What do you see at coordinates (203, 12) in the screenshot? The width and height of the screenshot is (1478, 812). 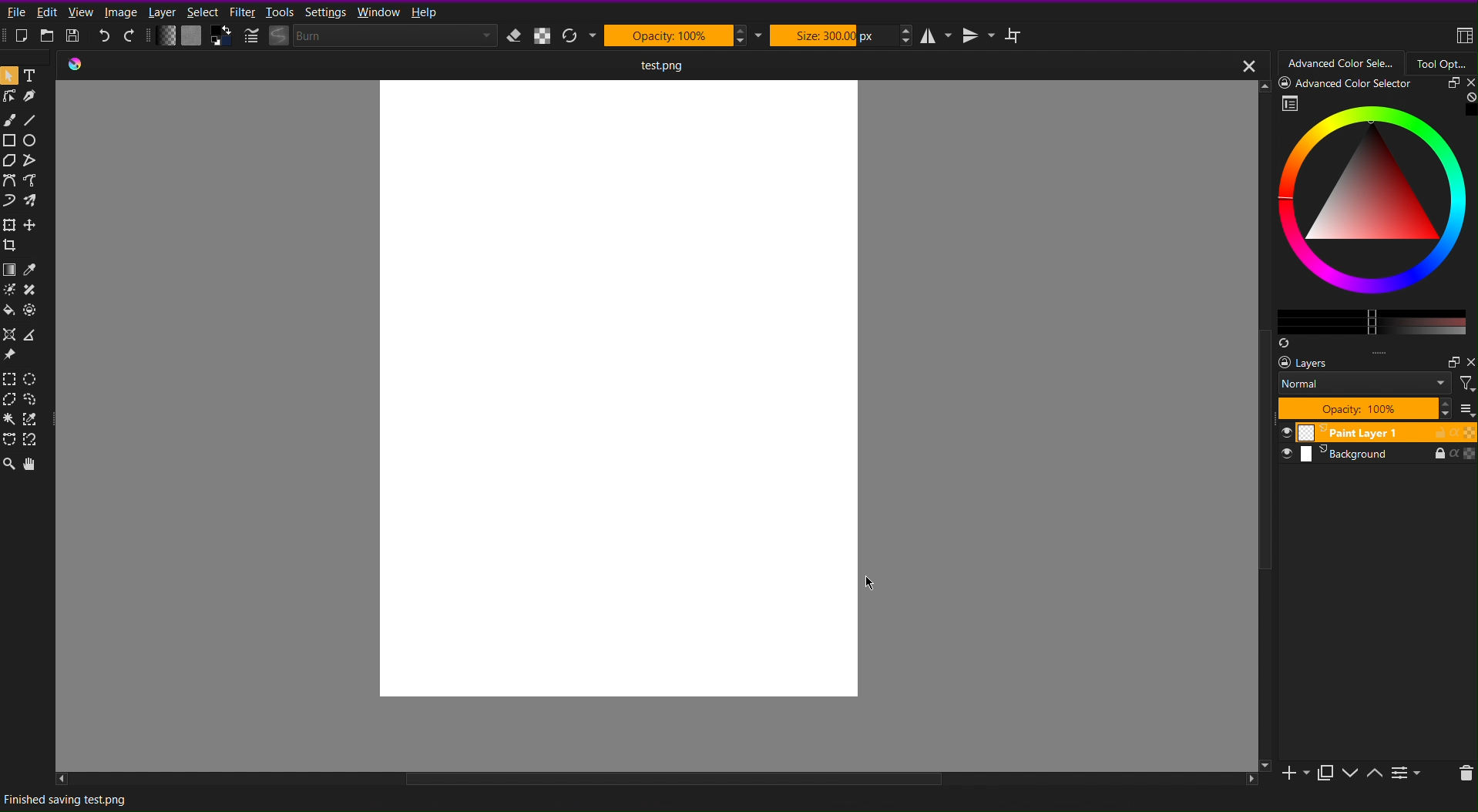 I see `Select` at bounding box center [203, 12].